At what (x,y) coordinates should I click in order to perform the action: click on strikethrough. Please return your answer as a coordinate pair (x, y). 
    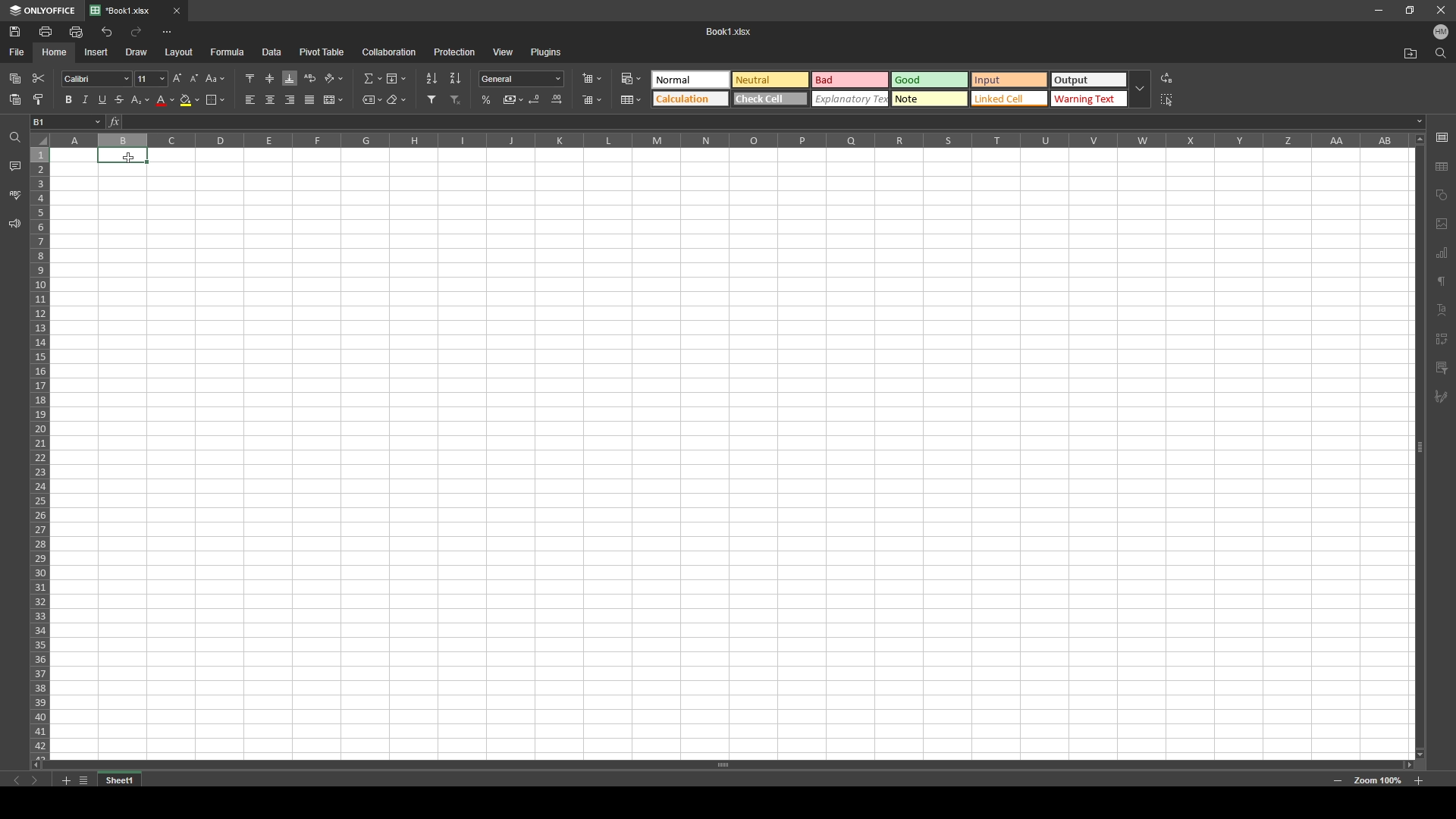
    Looking at the image, I should click on (120, 99).